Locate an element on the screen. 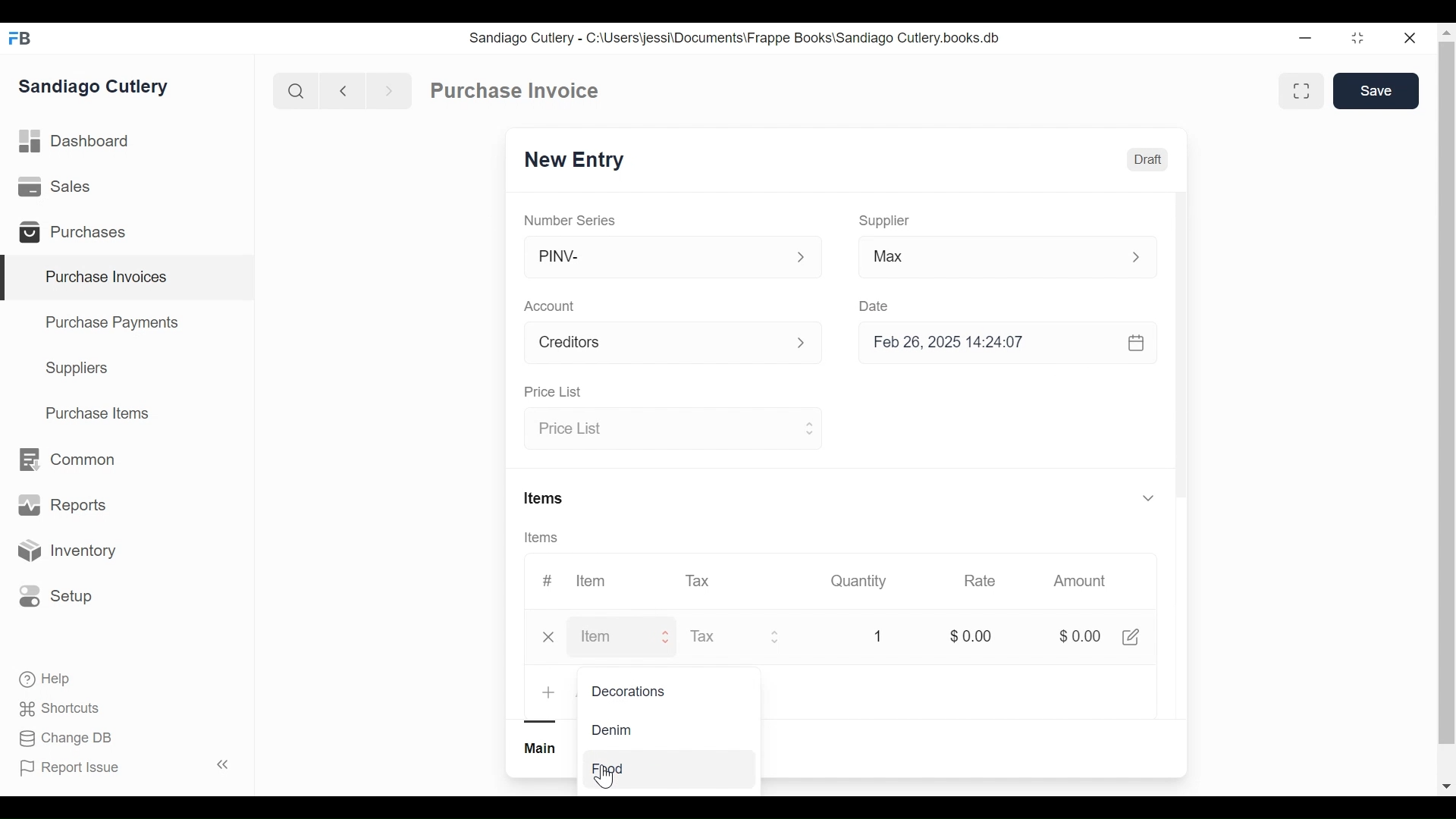 The image size is (1456, 819). $0.00 is located at coordinates (1079, 638).